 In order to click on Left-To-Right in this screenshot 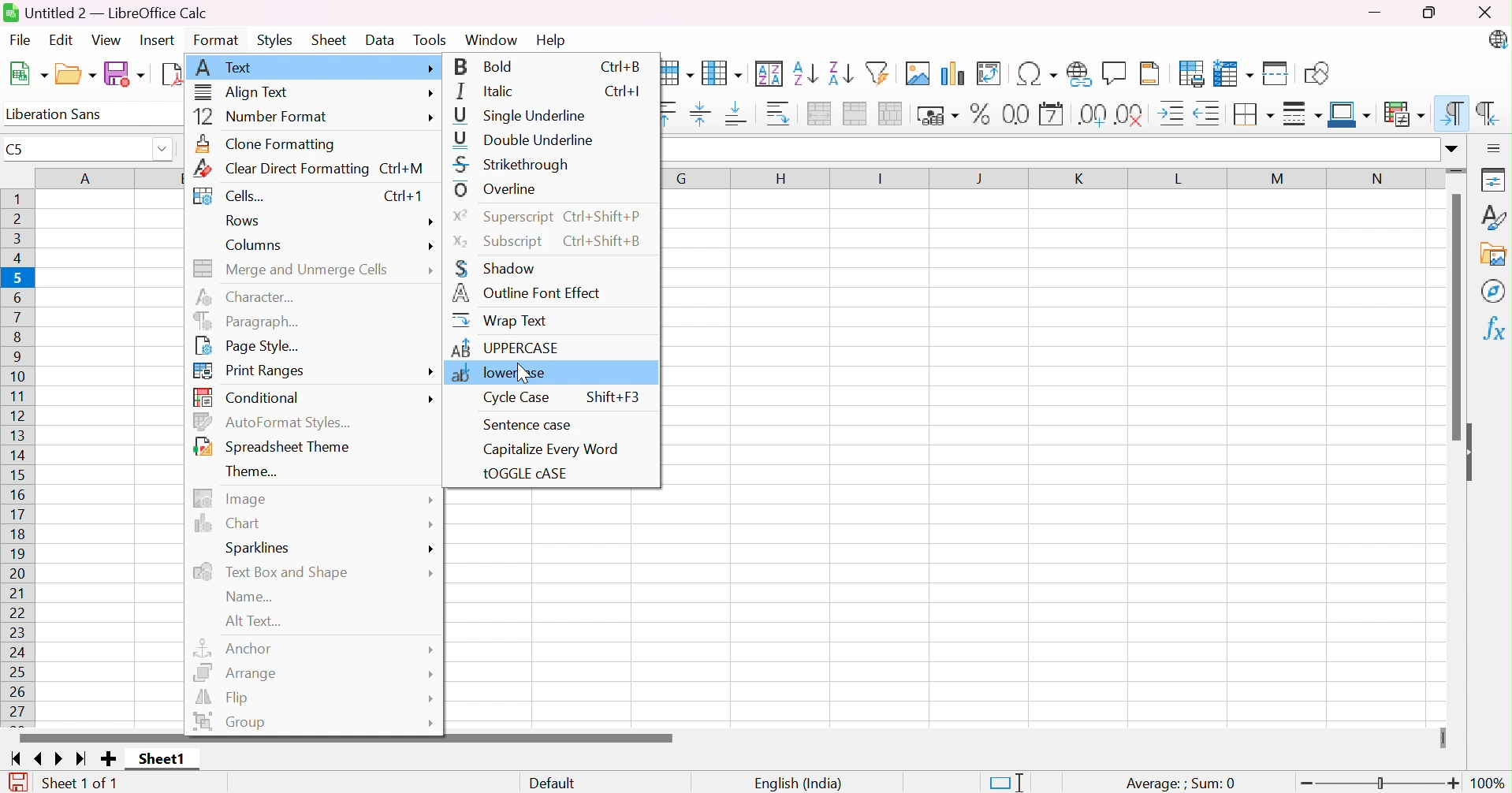, I will do `click(1449, 113)`.